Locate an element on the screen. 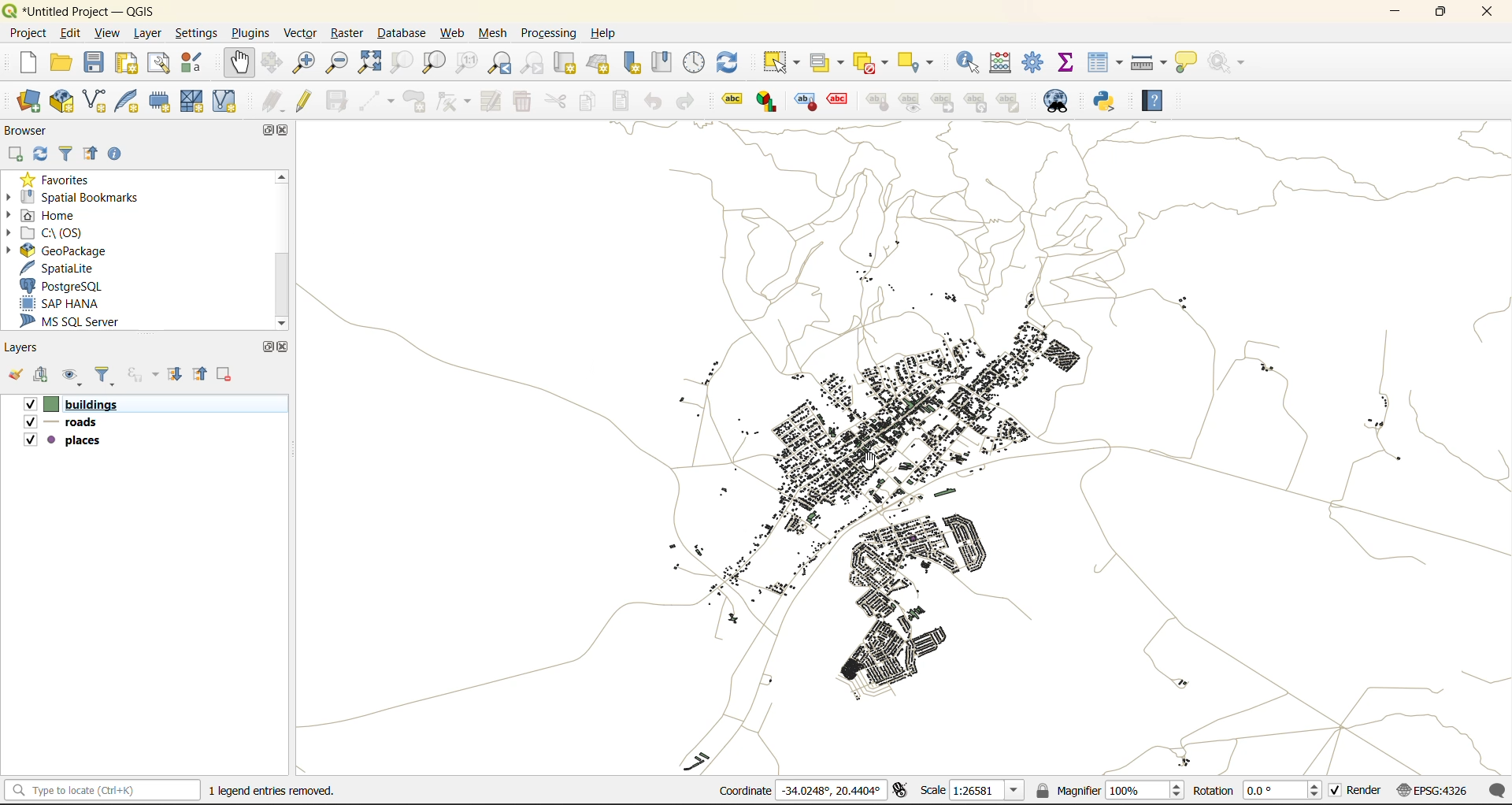  rotation is located at coordinates (1256, 790).